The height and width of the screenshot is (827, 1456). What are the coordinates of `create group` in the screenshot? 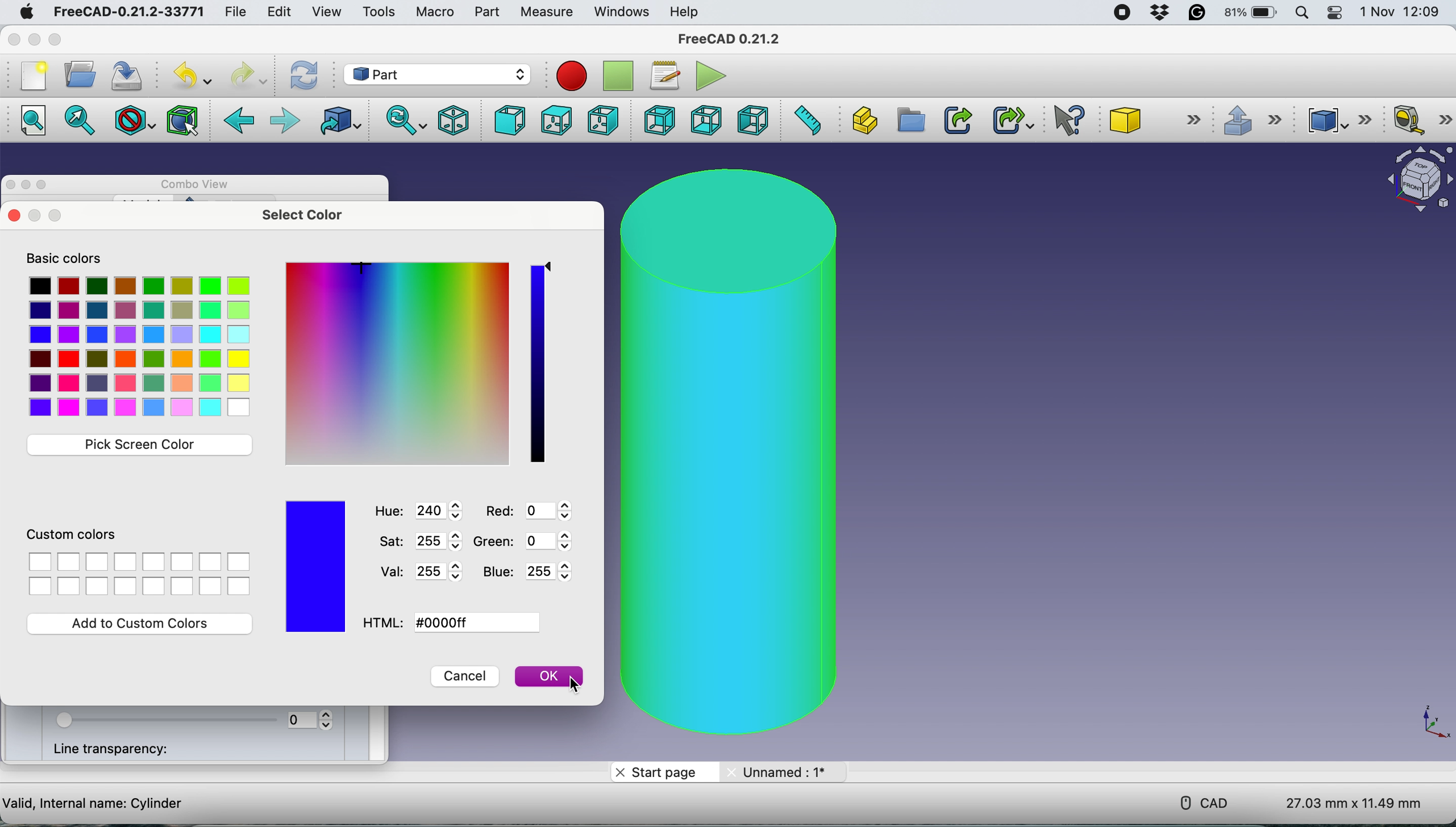 It's located at (909, 120).